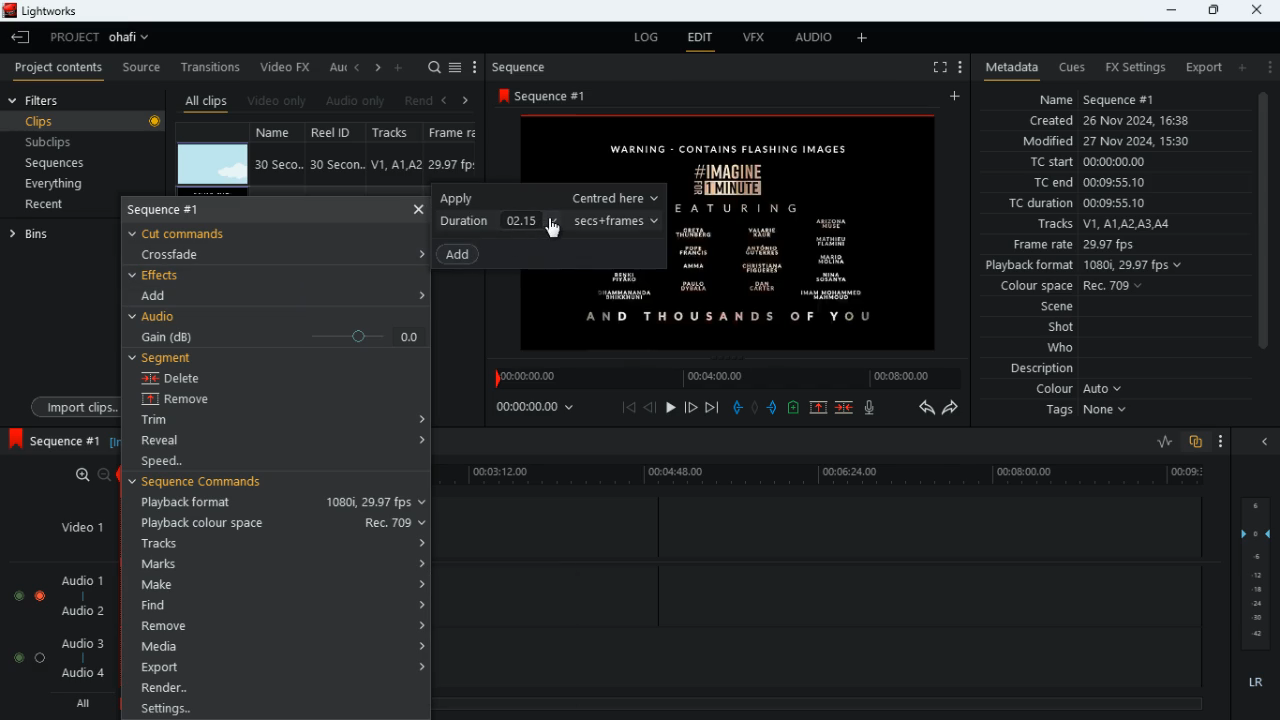  Describe the element at coordinates (192, 400) in the screenshot. I see `remove` at that location.